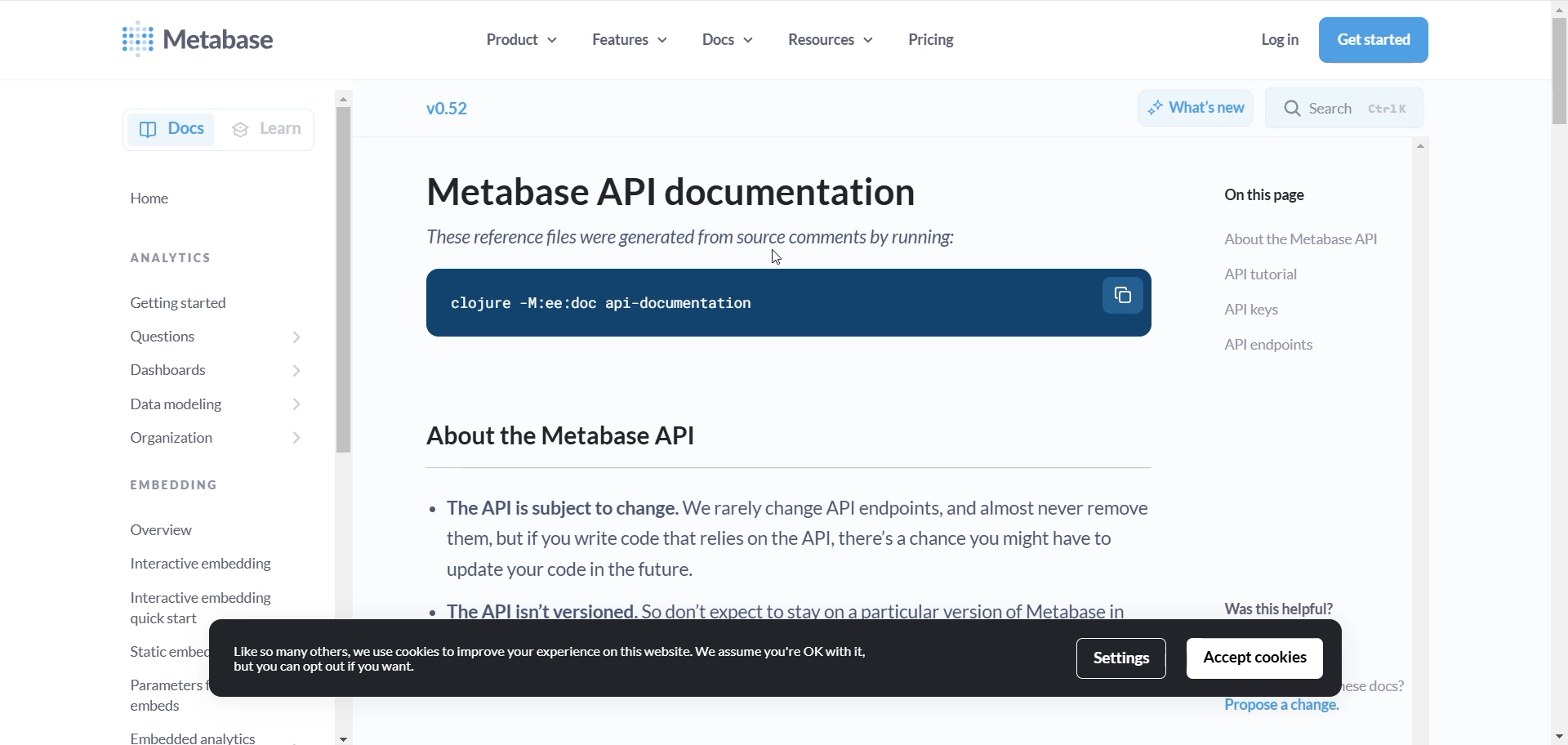  What do you see at coordinates (205, 36) in the screenshot?
I see `name and logo` at bounding box center [205, 36].